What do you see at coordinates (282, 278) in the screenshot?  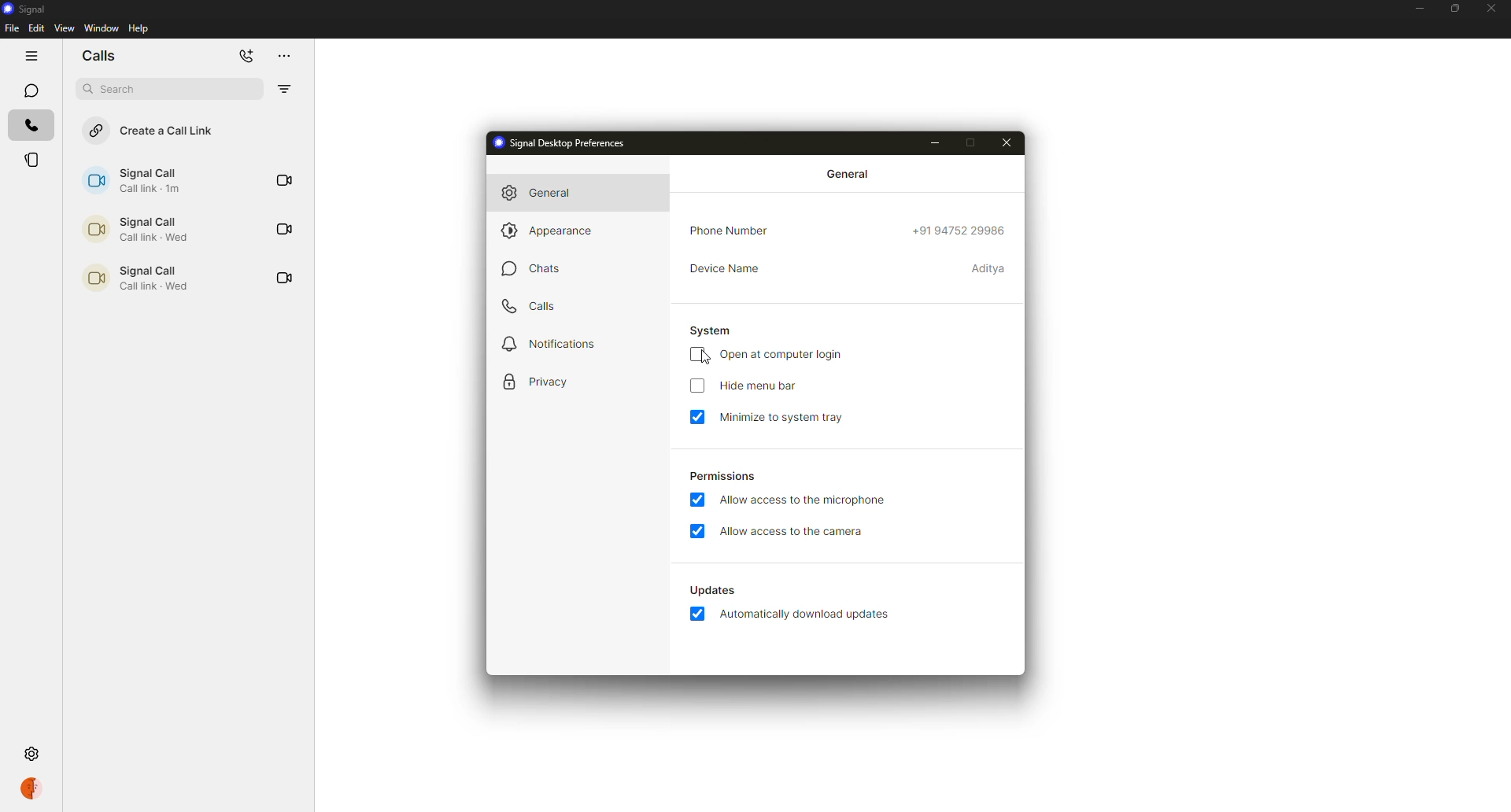 I see `video` at bounding box center [282, 278].